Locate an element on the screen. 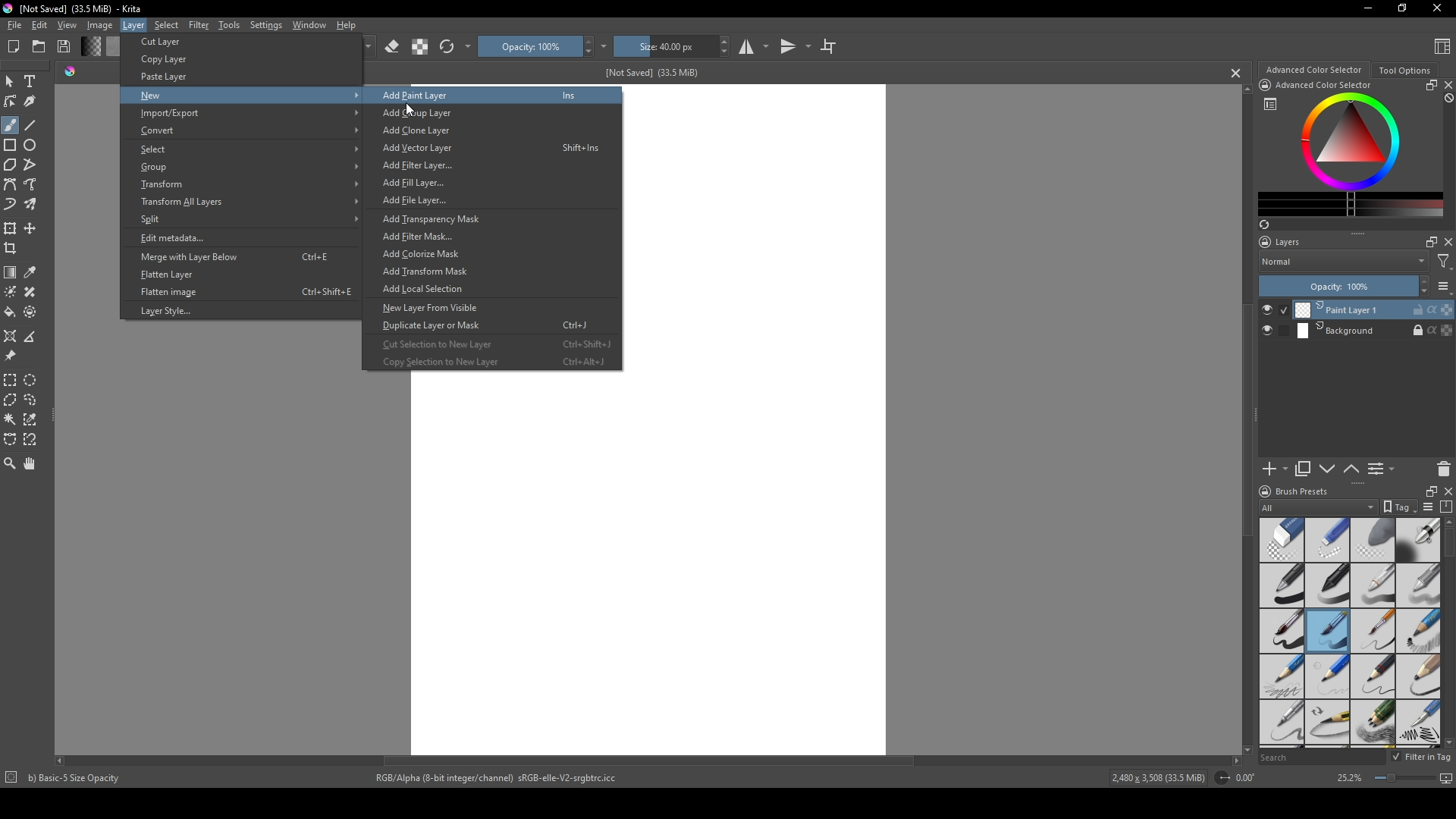 This screenshot has width=1456, height=819. colorize mask is located at coordinates (11, 291).